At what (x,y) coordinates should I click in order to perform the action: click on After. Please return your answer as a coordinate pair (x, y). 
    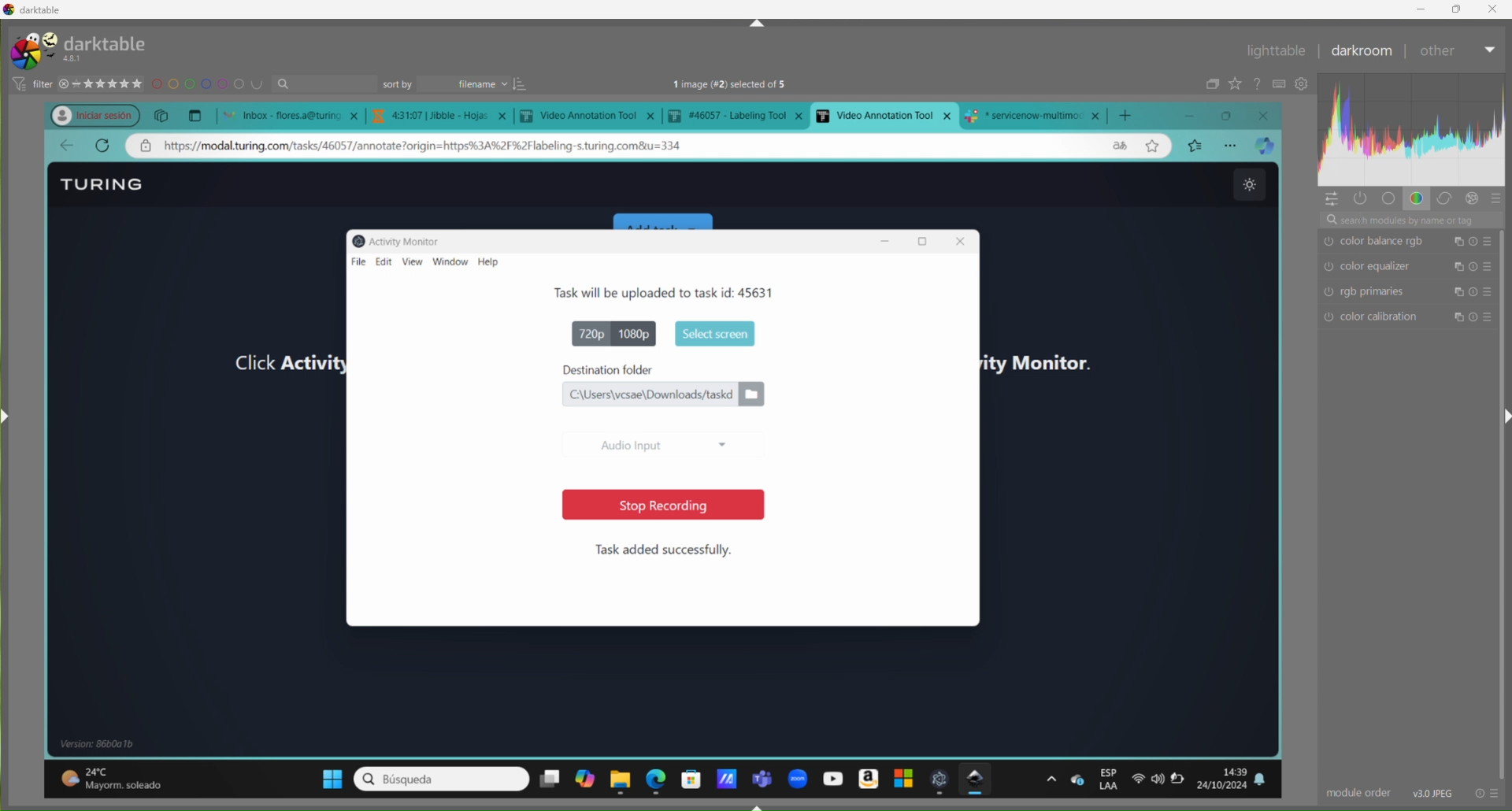
    Looking at the image, I should click on (1438, 50).